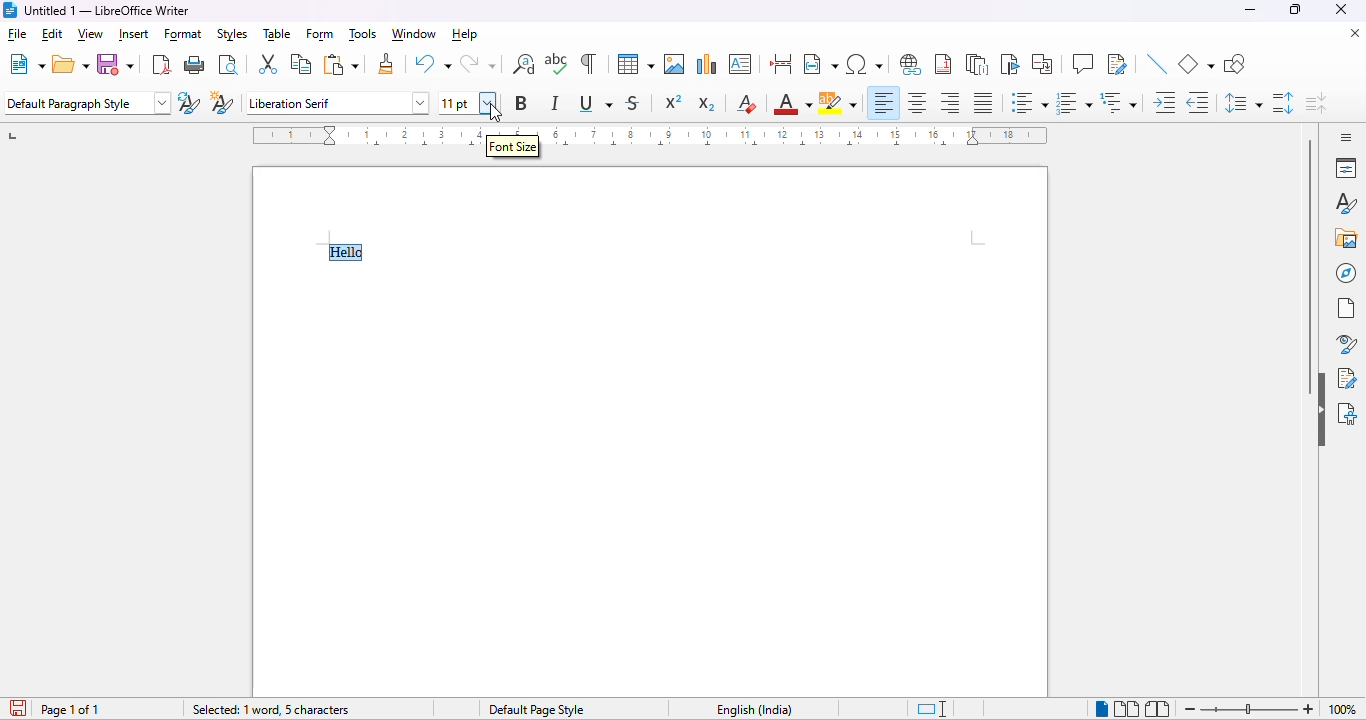 The width and height of the screenshot is (1366, 720). I want to click on vertical scroll bar, so click(1311, 267).